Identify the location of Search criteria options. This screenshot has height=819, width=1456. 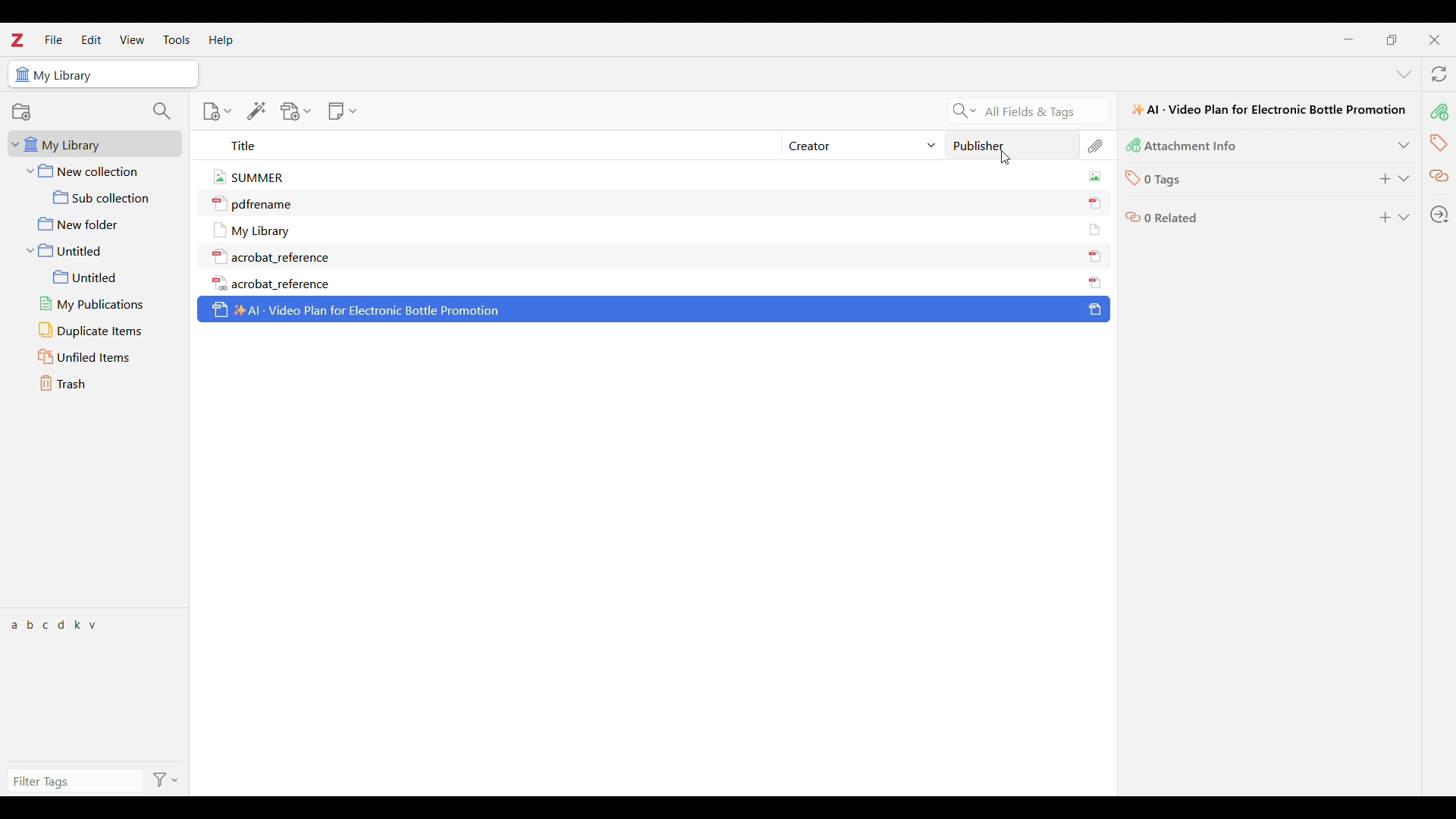
(965, 111).